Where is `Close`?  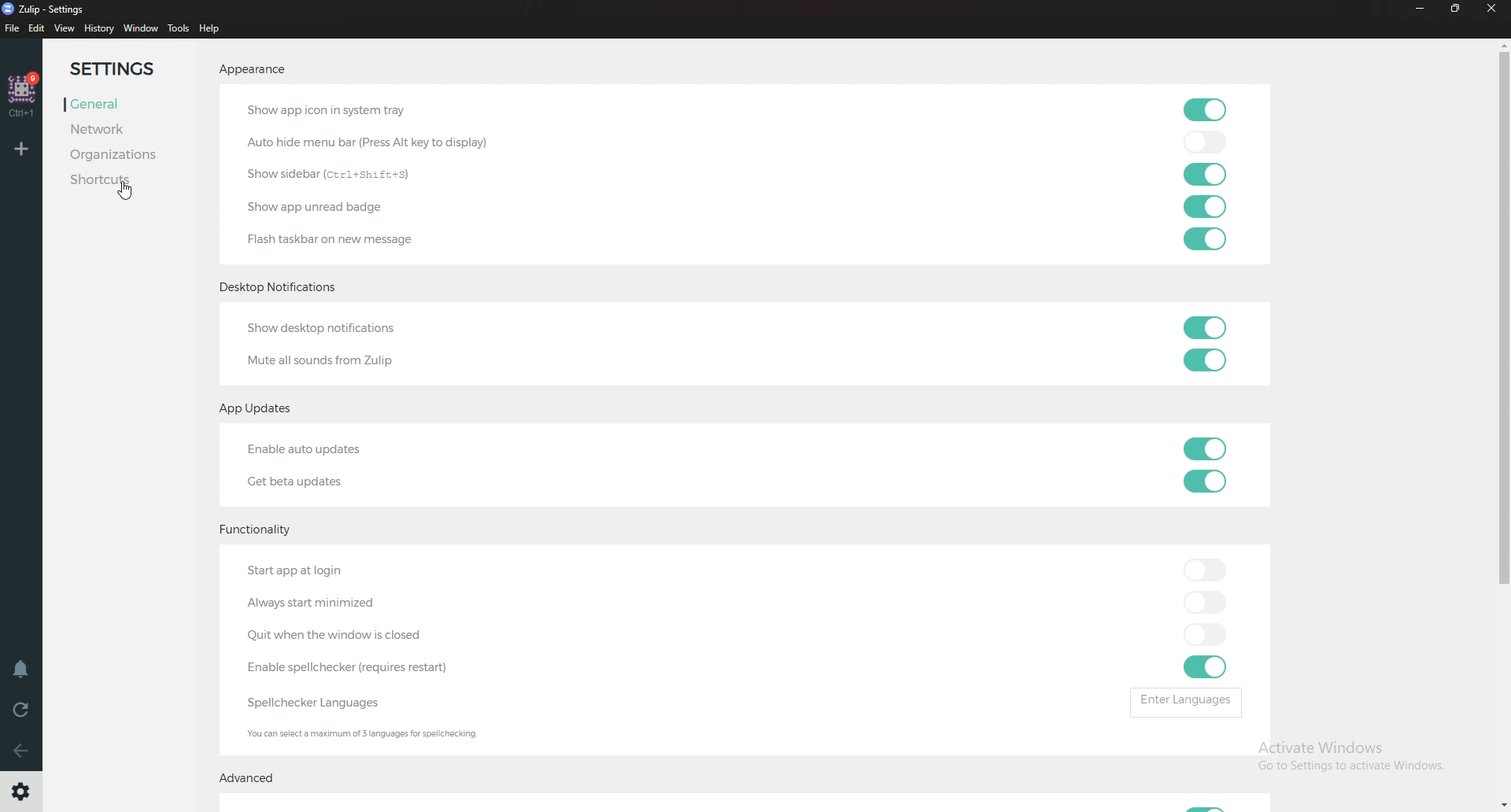 Close is located at coordinates (1493, 10).